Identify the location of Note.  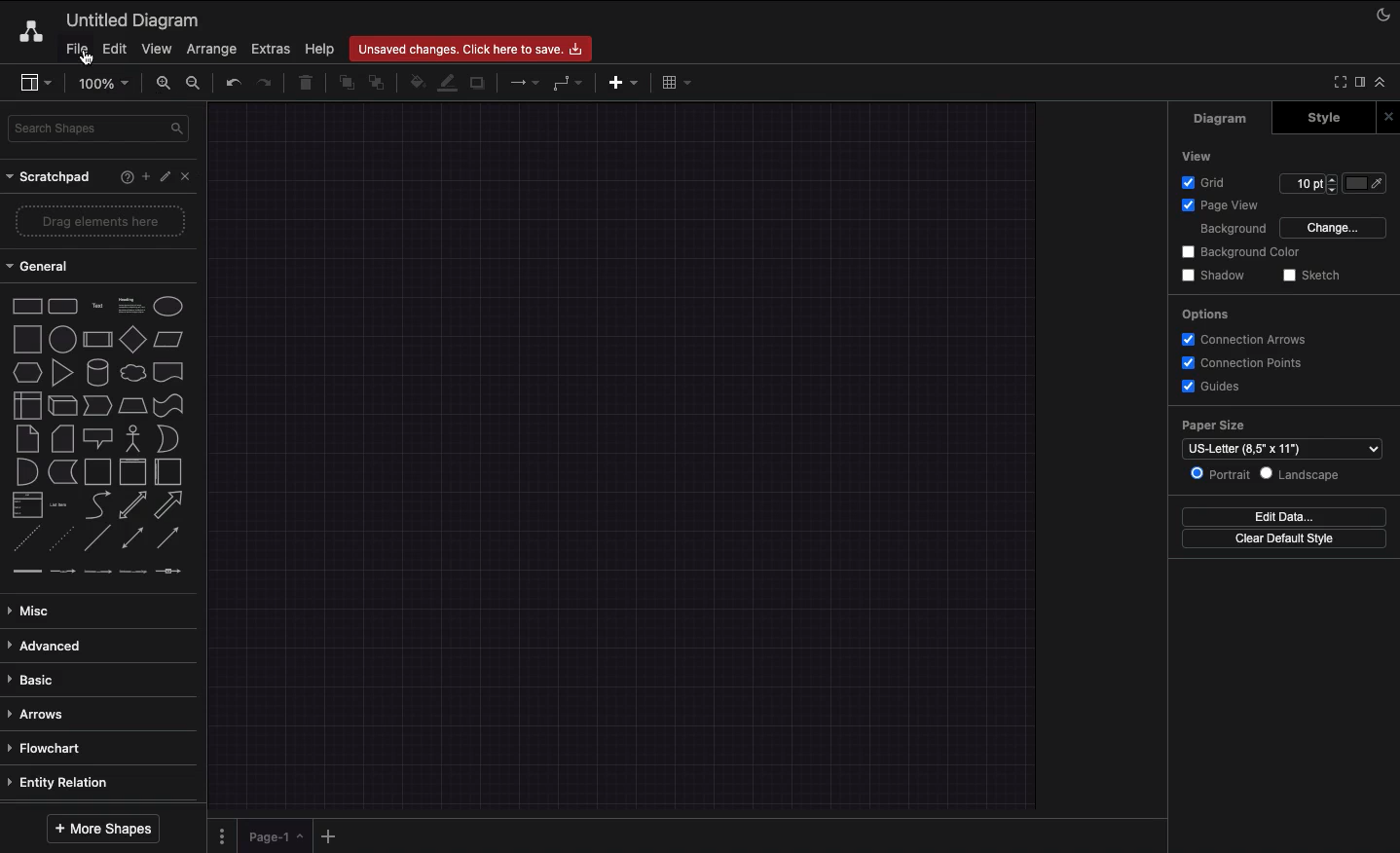
(25, 439).